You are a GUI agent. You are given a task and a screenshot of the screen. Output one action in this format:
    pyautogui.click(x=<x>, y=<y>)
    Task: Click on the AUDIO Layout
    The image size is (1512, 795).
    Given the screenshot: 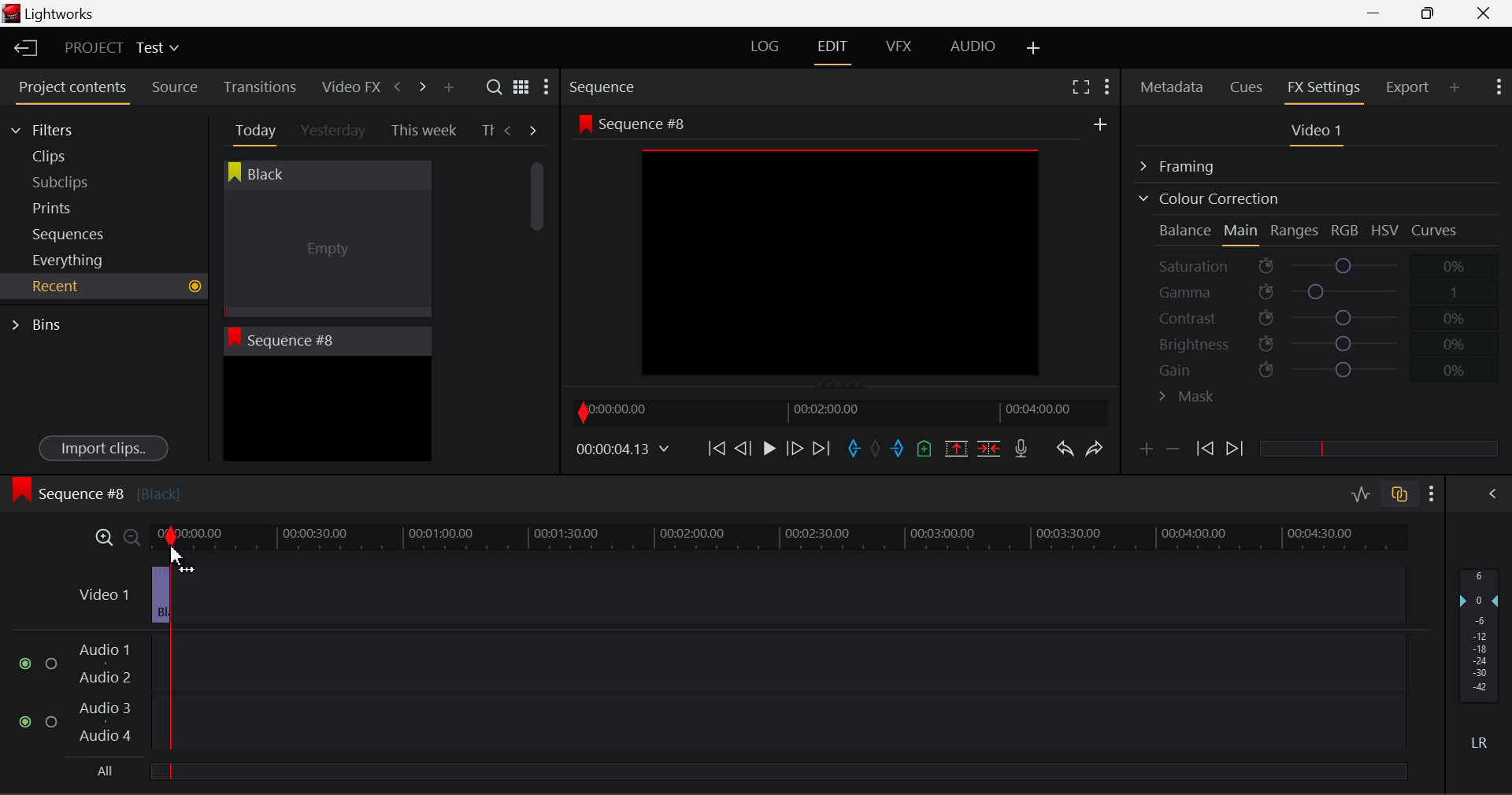 What is the action you would take?
    pyautogui.click(x=972, y=46)
    